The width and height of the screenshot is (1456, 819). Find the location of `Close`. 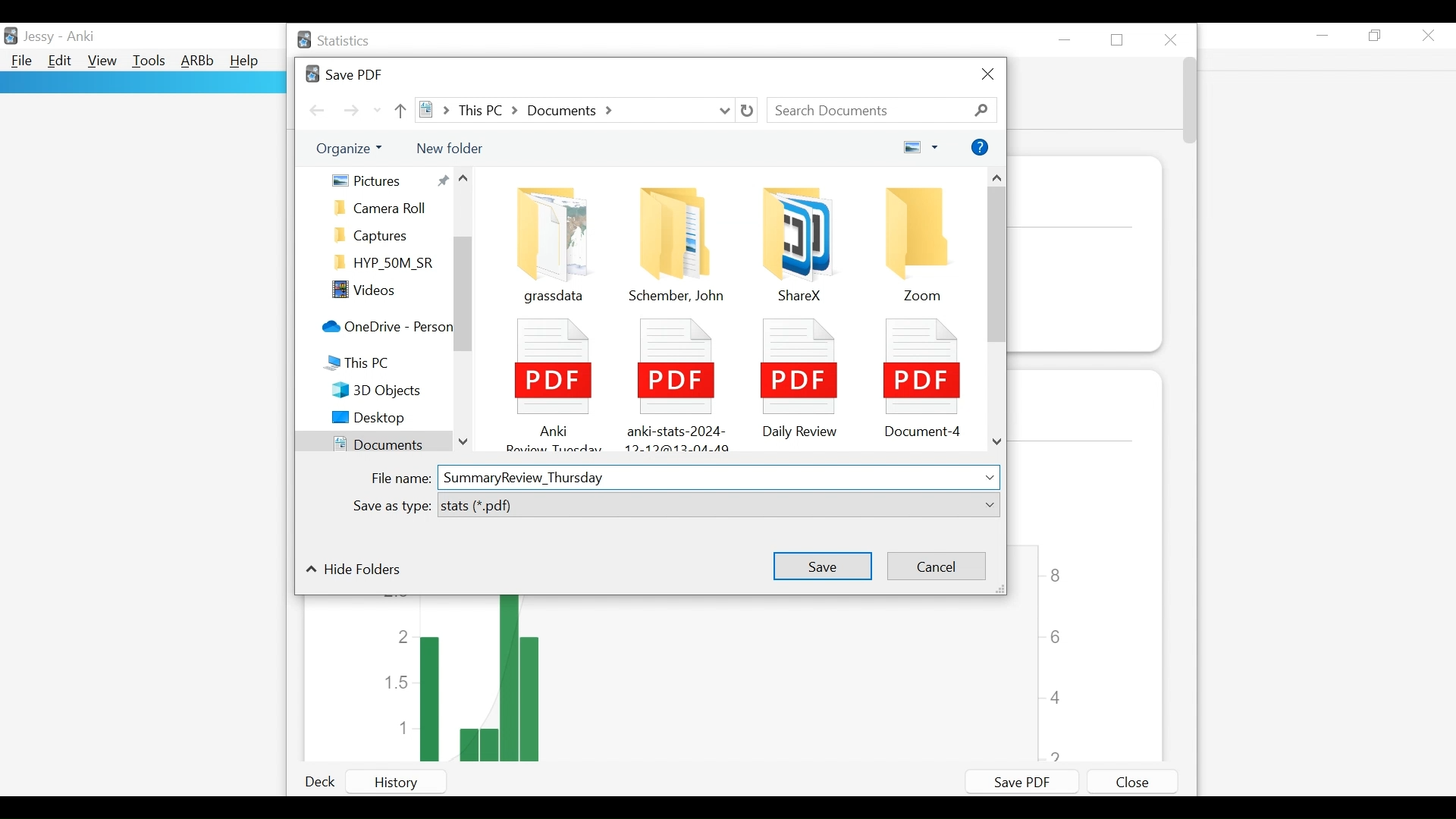

Close is located at coordinates (987, 76).